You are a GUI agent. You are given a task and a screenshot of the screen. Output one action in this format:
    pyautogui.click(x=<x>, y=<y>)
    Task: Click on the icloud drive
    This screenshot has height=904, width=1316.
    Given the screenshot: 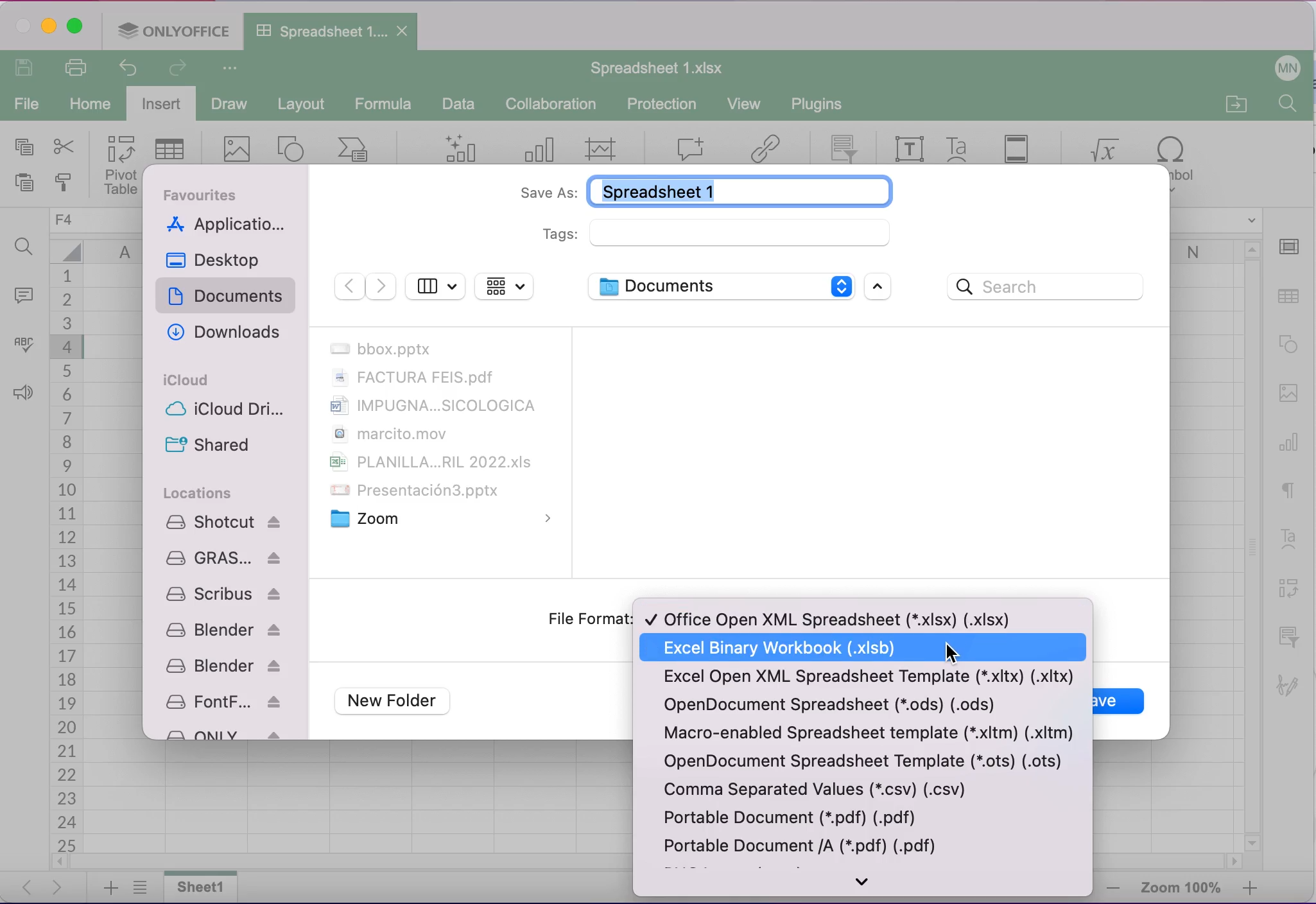 What is the action you would take?
    pyautogui.click(x=229, y=412)
    